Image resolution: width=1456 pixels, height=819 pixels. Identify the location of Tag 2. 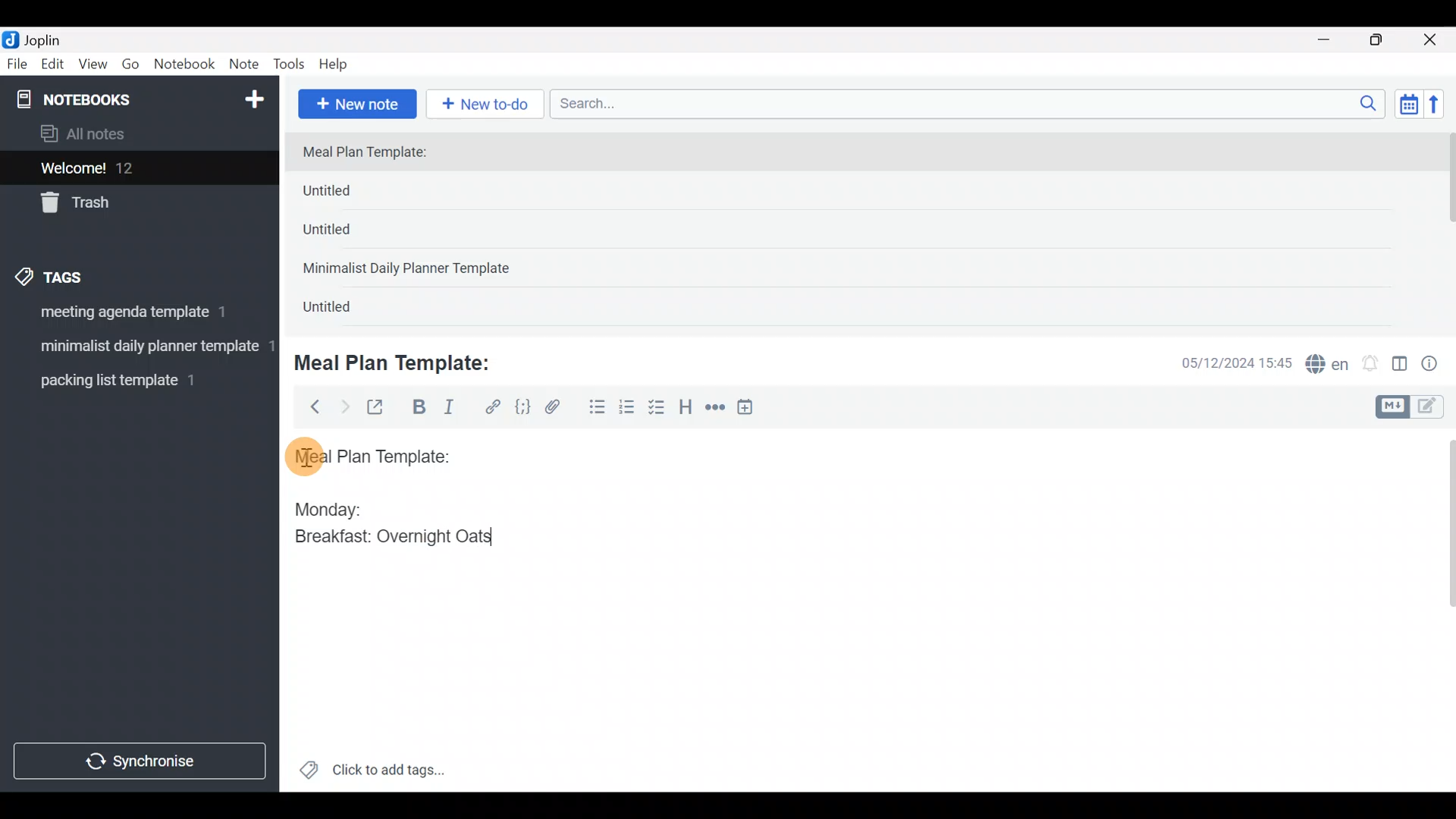
(139, 348).